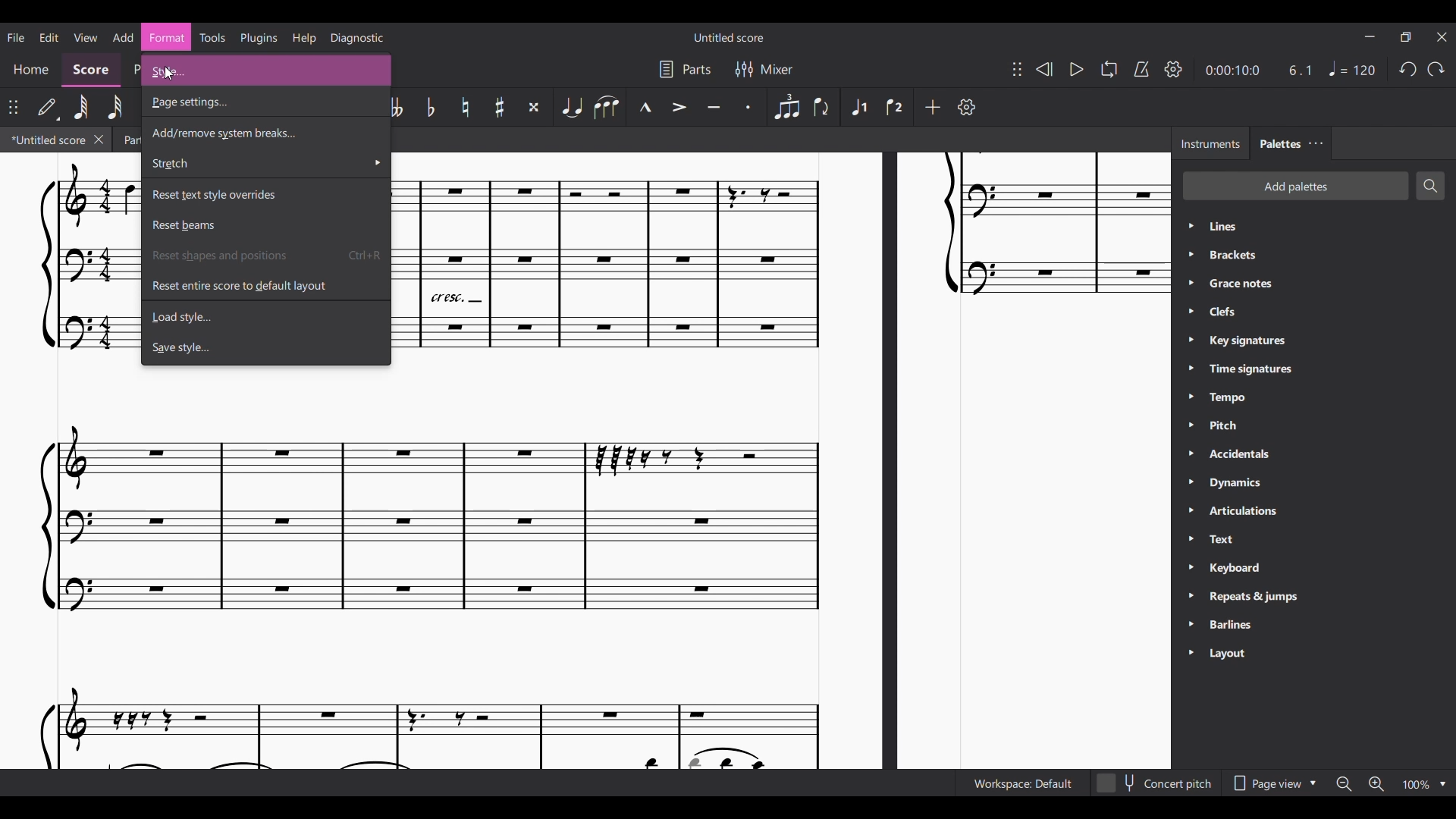 Image resolution: width=1456 pixels, height=819 pixels. What do you see at coordinates (1022, 783) in the screenshot?
I see `Current workspace setting` at bounding box center [1022, 783].